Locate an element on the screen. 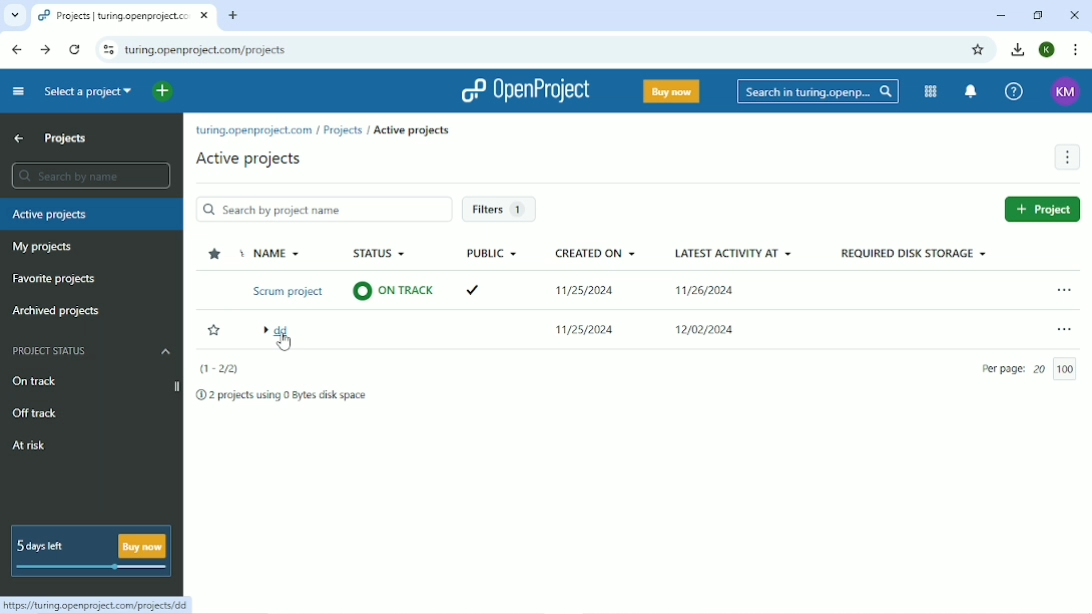 The height and width of the screenshot is (614, 1092). Buy now is located at coordinates (673, 91).